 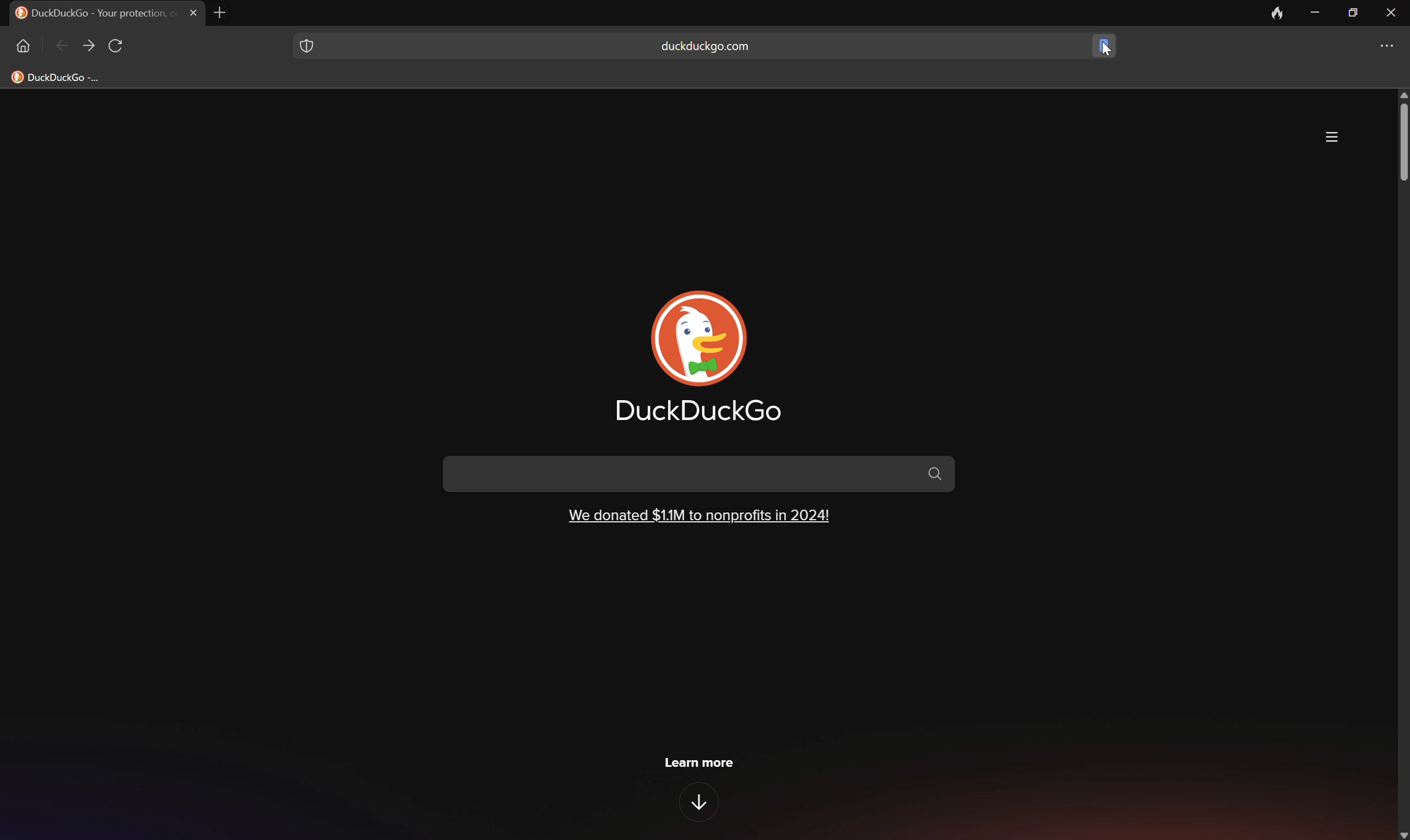 I want to click on Close, so click(x=194, y=12).